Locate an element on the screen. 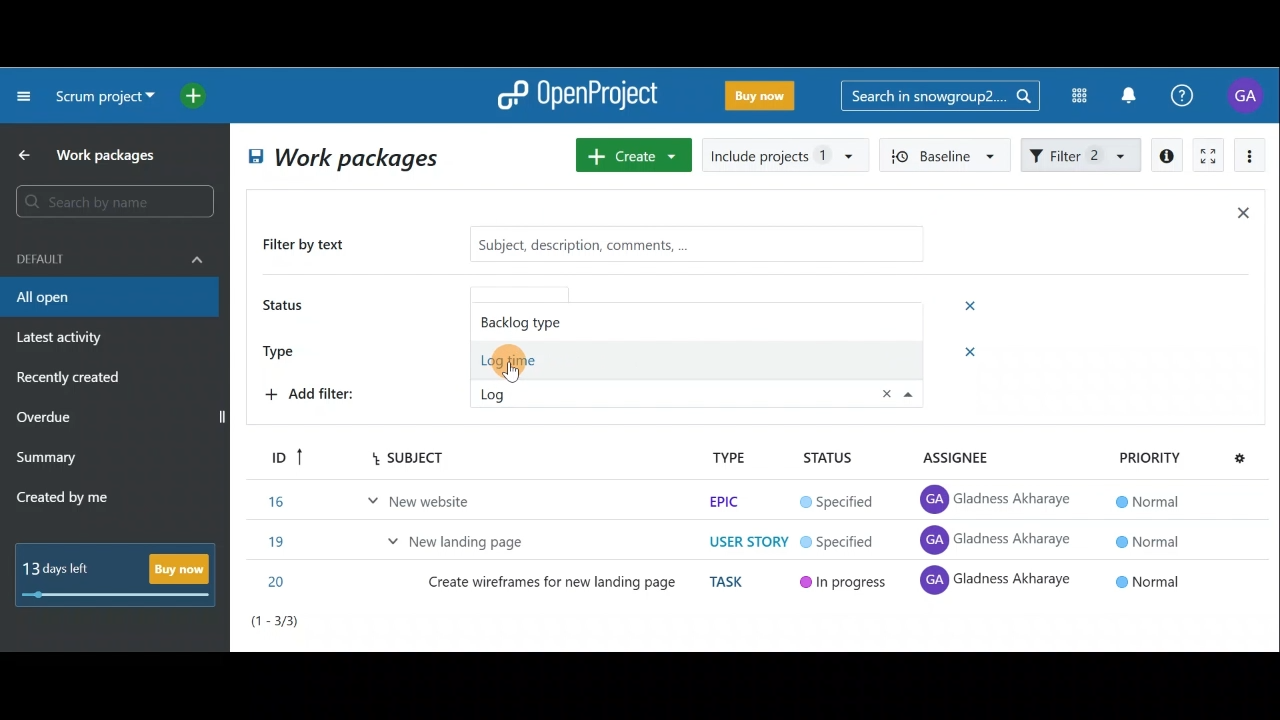  epic is located at coordinates (722, 501).